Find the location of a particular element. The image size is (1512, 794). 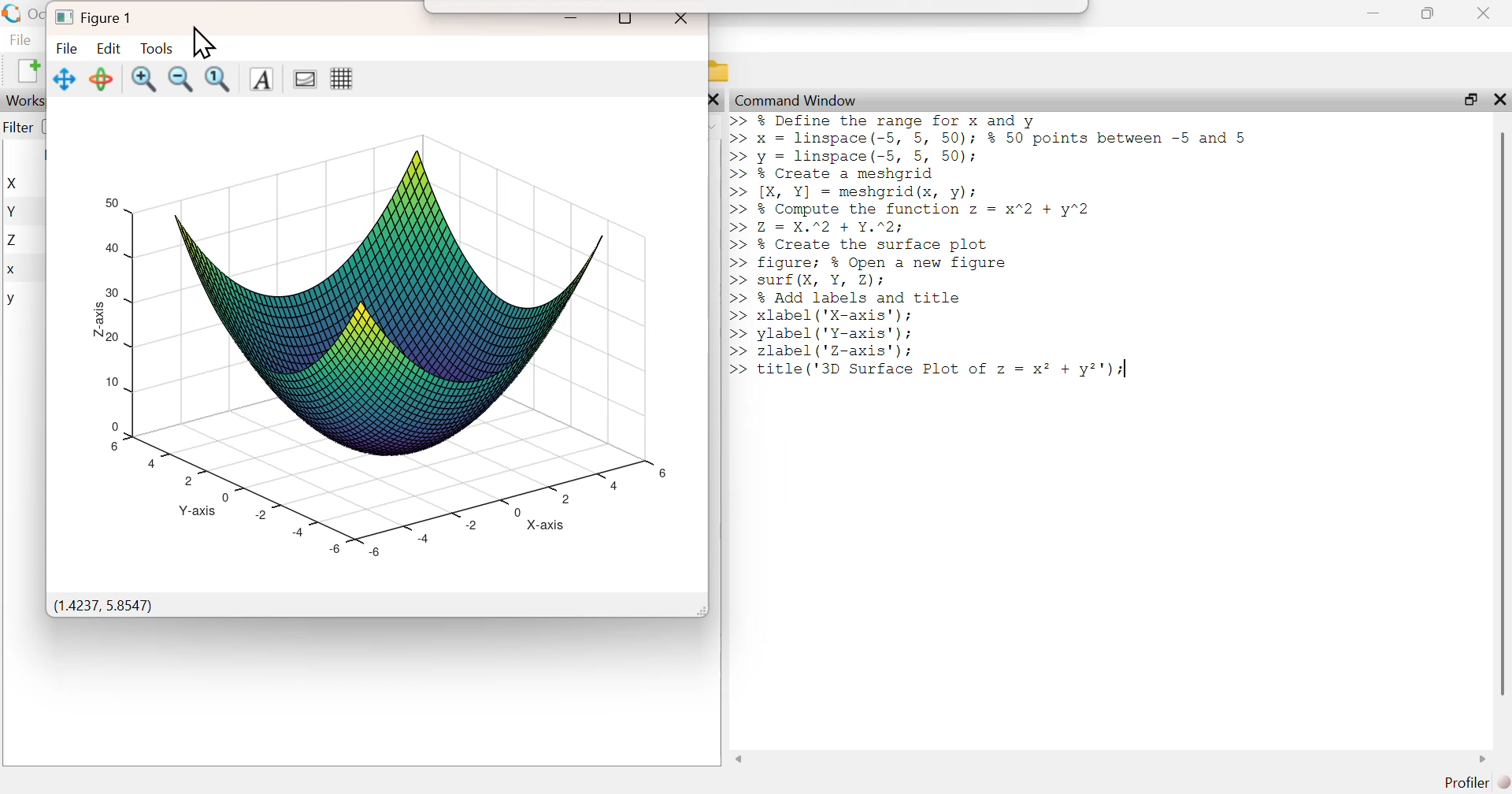

scroll bar is located at coordinates (1502, 413).